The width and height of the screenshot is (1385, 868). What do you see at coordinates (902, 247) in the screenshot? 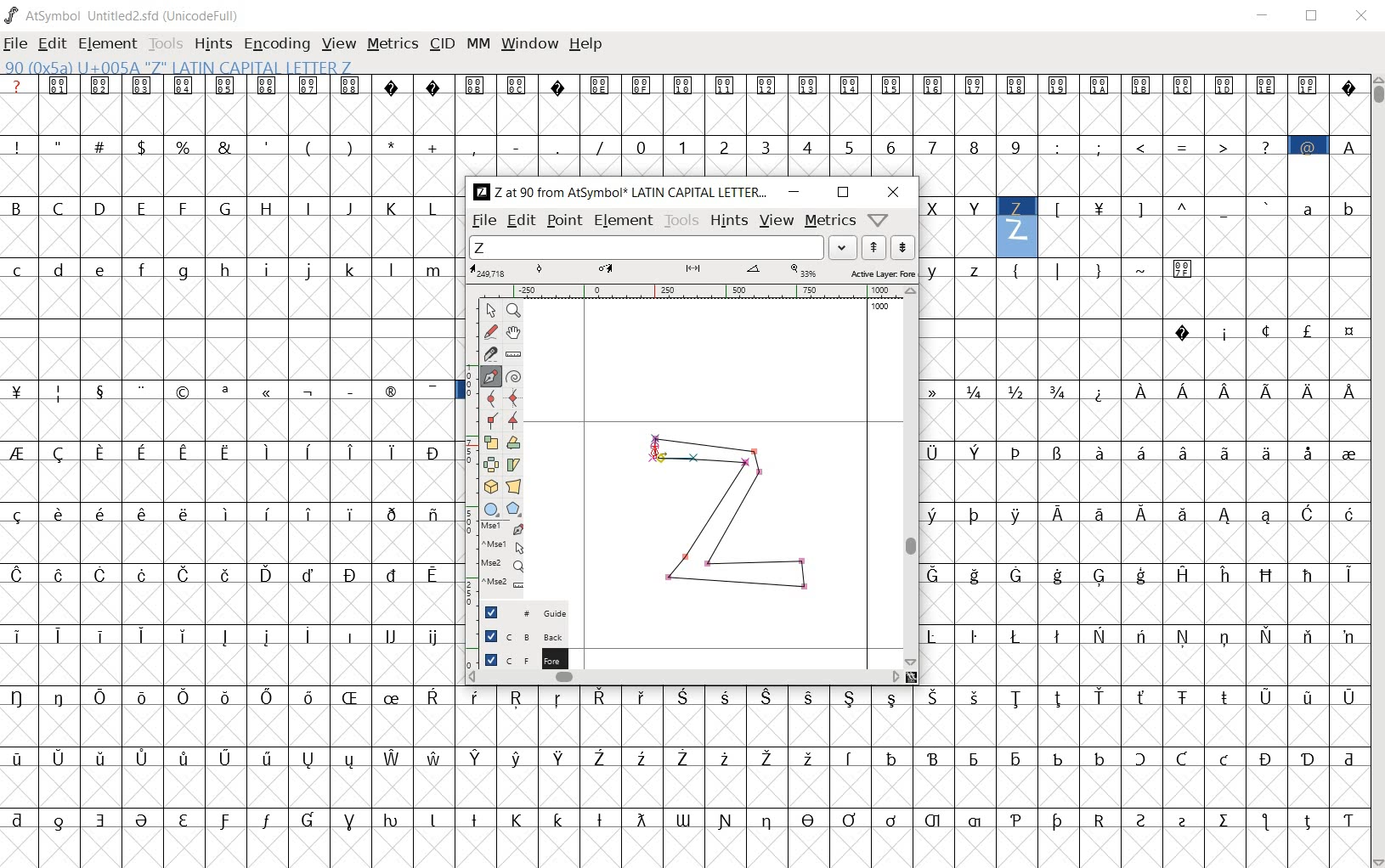
I see `show the previous word on the list` at bounding box center [902, 247].